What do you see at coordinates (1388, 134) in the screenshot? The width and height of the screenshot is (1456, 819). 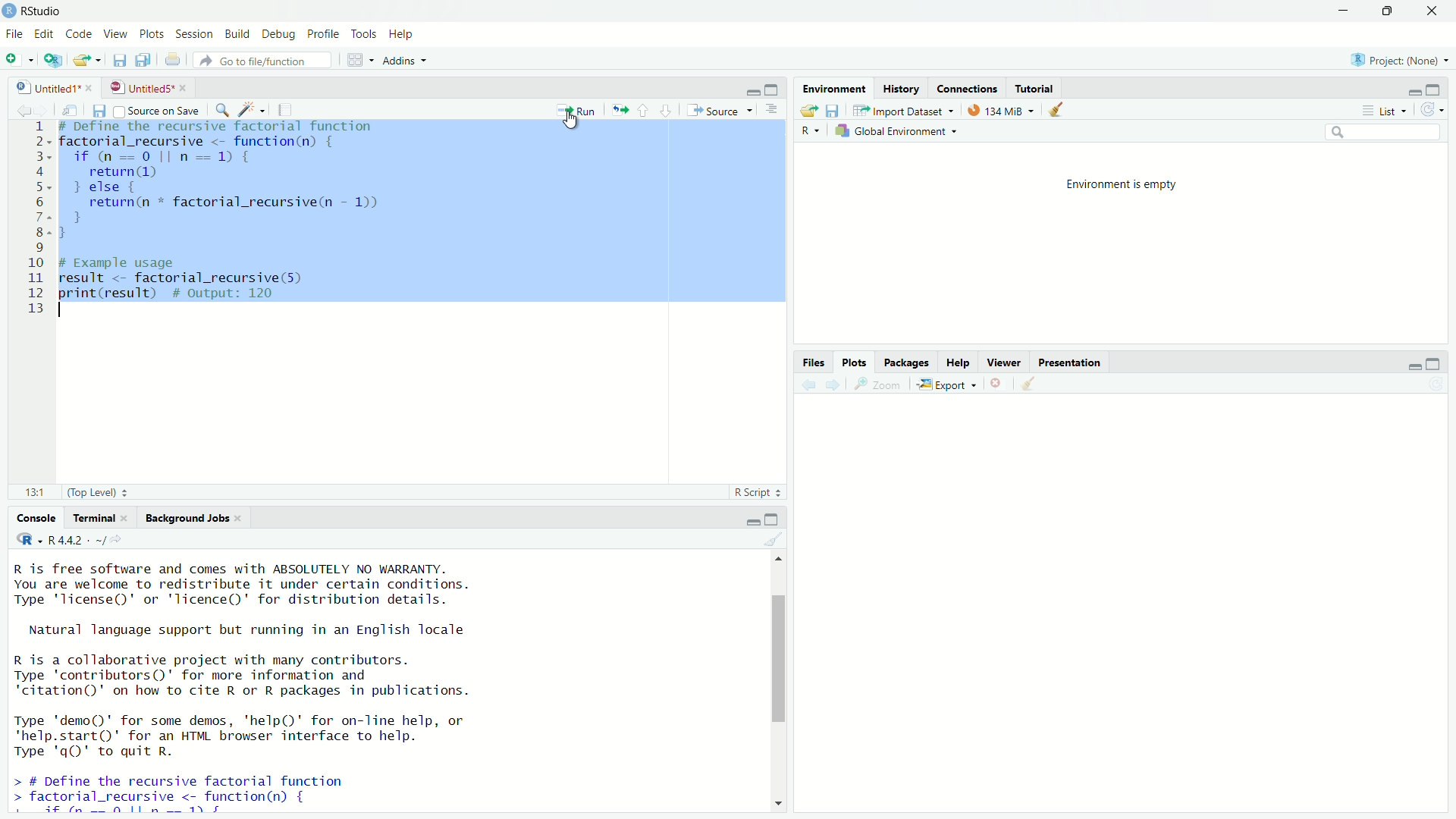 I see `Search bar` at bounding box center [1388, 134].